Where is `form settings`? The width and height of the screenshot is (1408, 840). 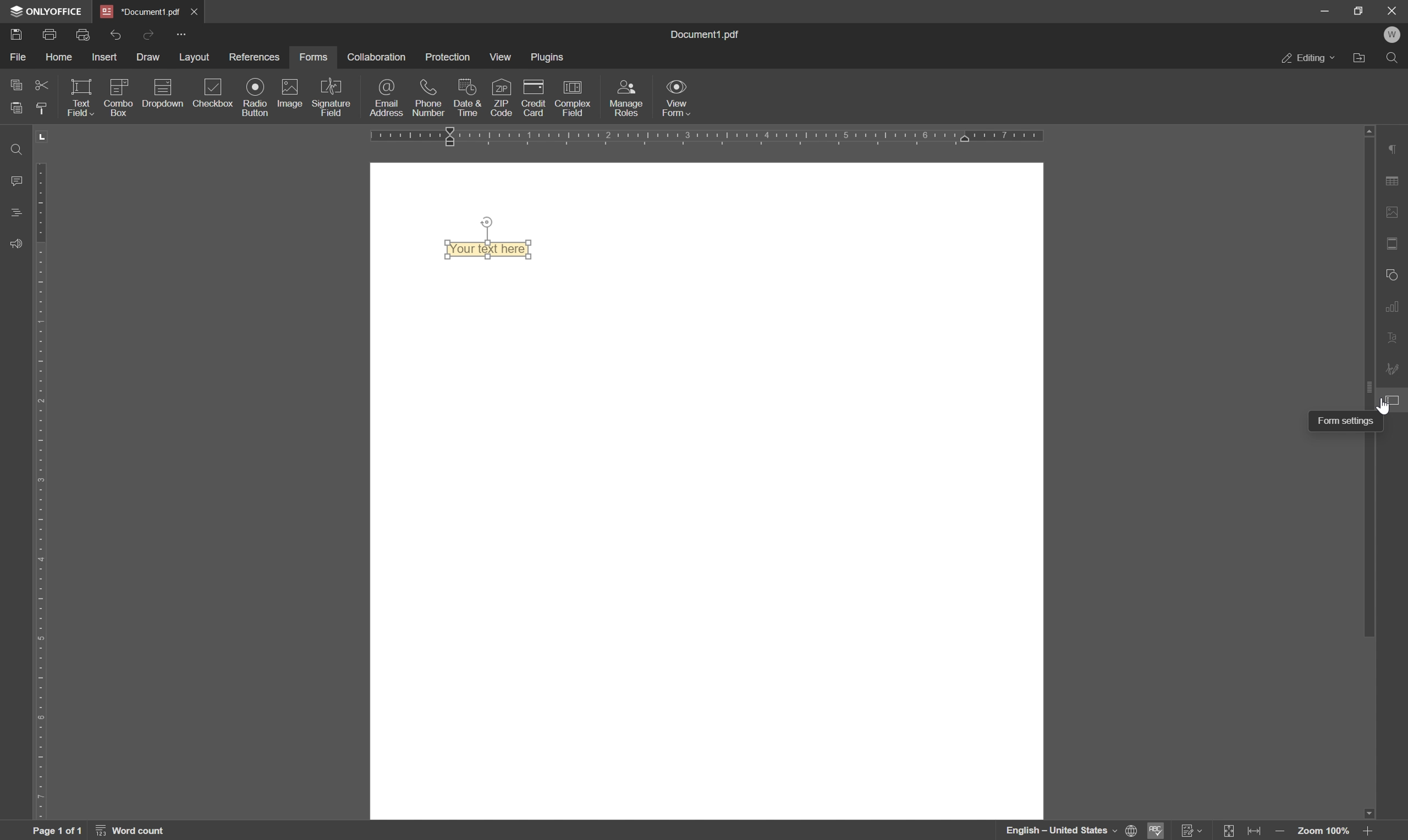
form settings is located at coordinates (1394, 402).